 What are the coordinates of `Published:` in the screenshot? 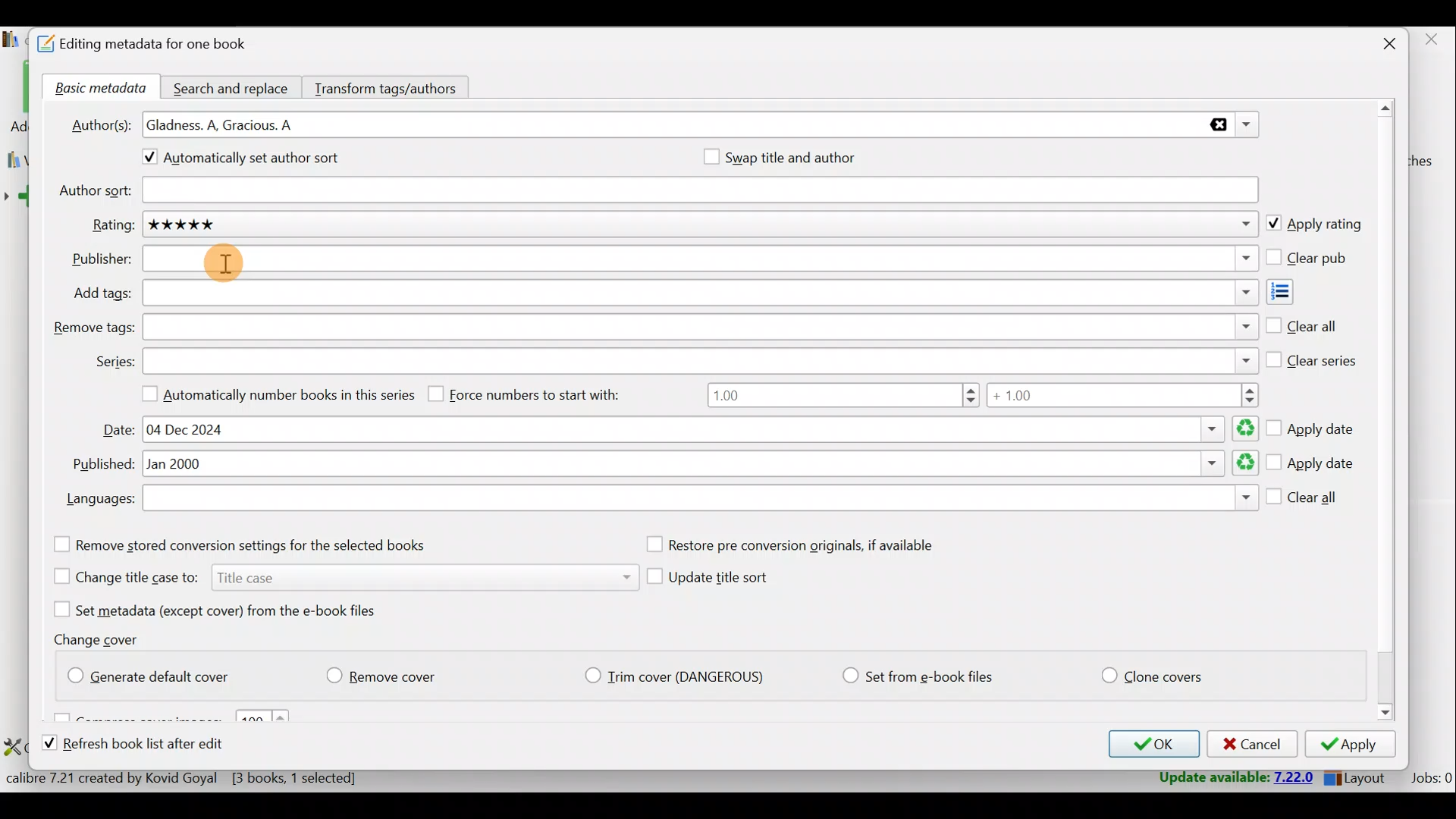 It's located at (100, 465).